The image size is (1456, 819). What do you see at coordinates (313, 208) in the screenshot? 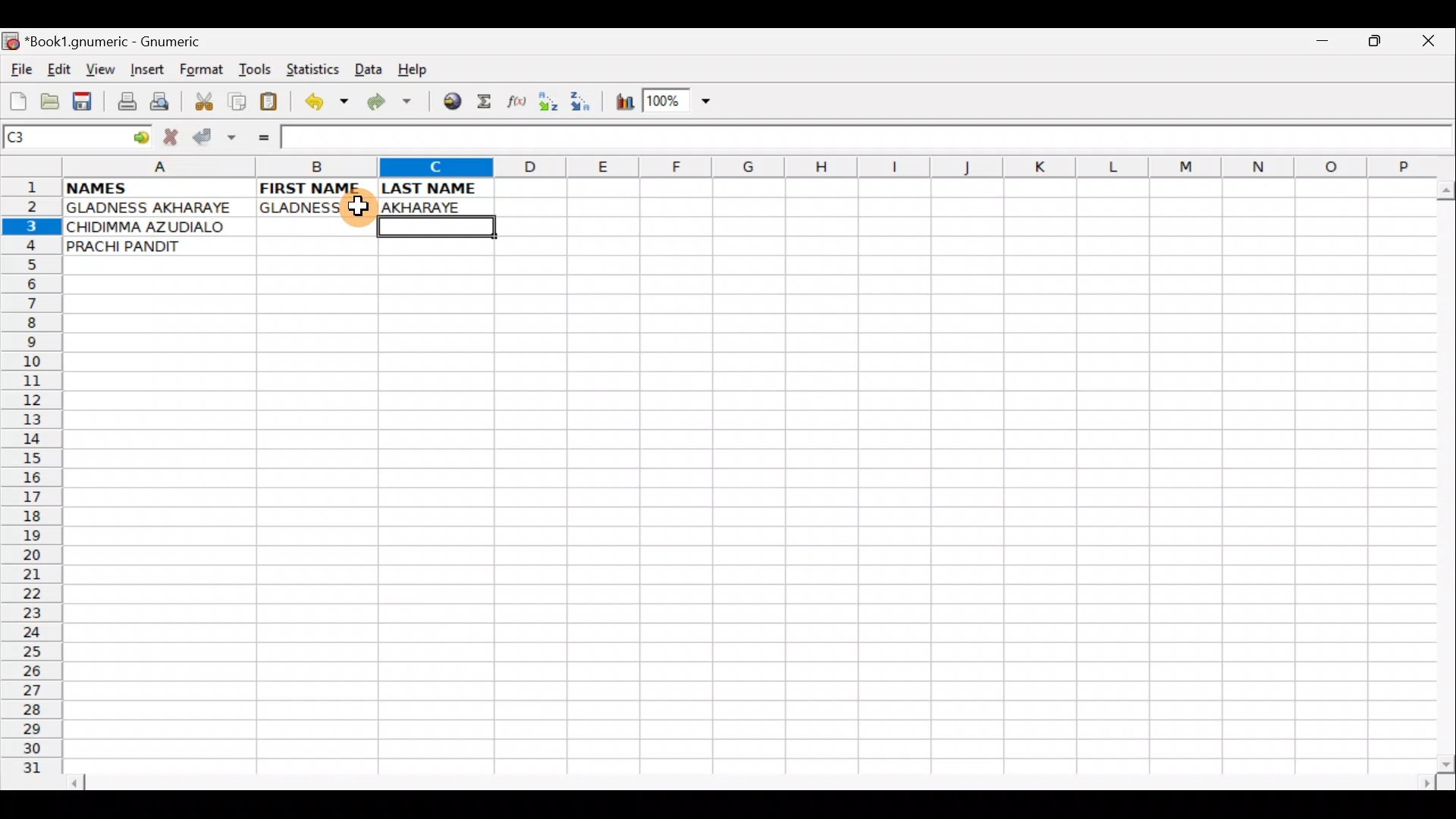
I see `GLADNESS` at bounding box center [313, 208].